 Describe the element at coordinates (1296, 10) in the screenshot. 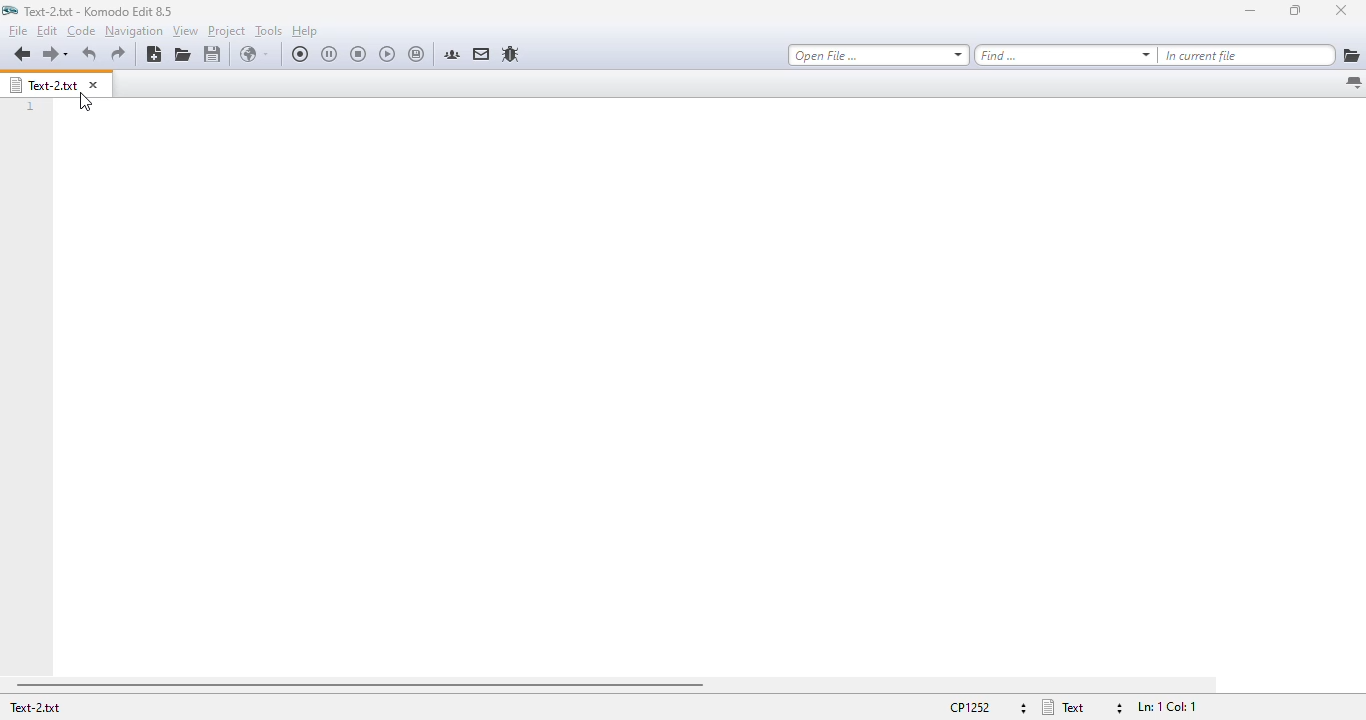

I see `maximize` at that location.